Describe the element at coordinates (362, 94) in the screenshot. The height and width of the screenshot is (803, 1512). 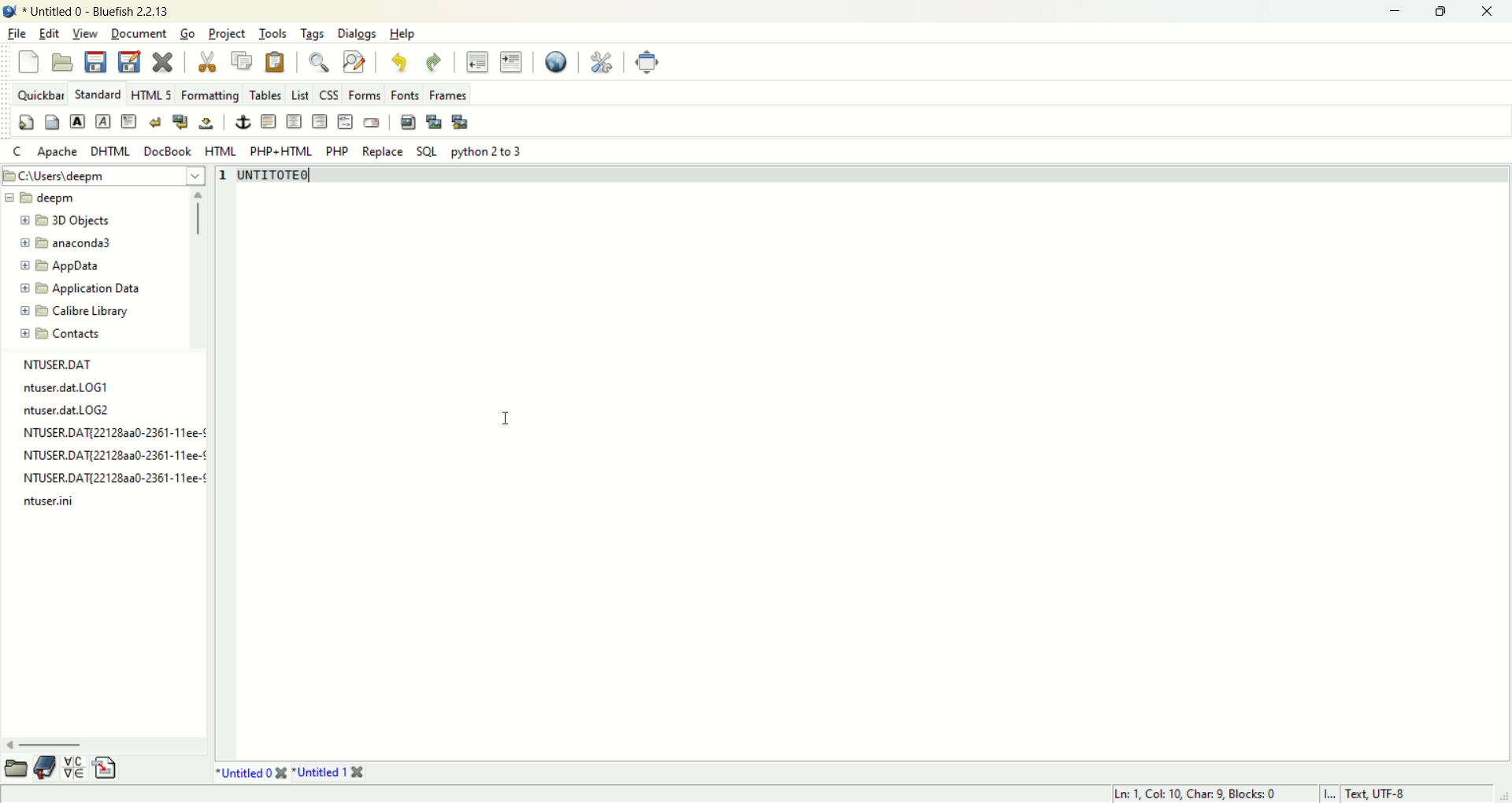
I see `forms` at that location.